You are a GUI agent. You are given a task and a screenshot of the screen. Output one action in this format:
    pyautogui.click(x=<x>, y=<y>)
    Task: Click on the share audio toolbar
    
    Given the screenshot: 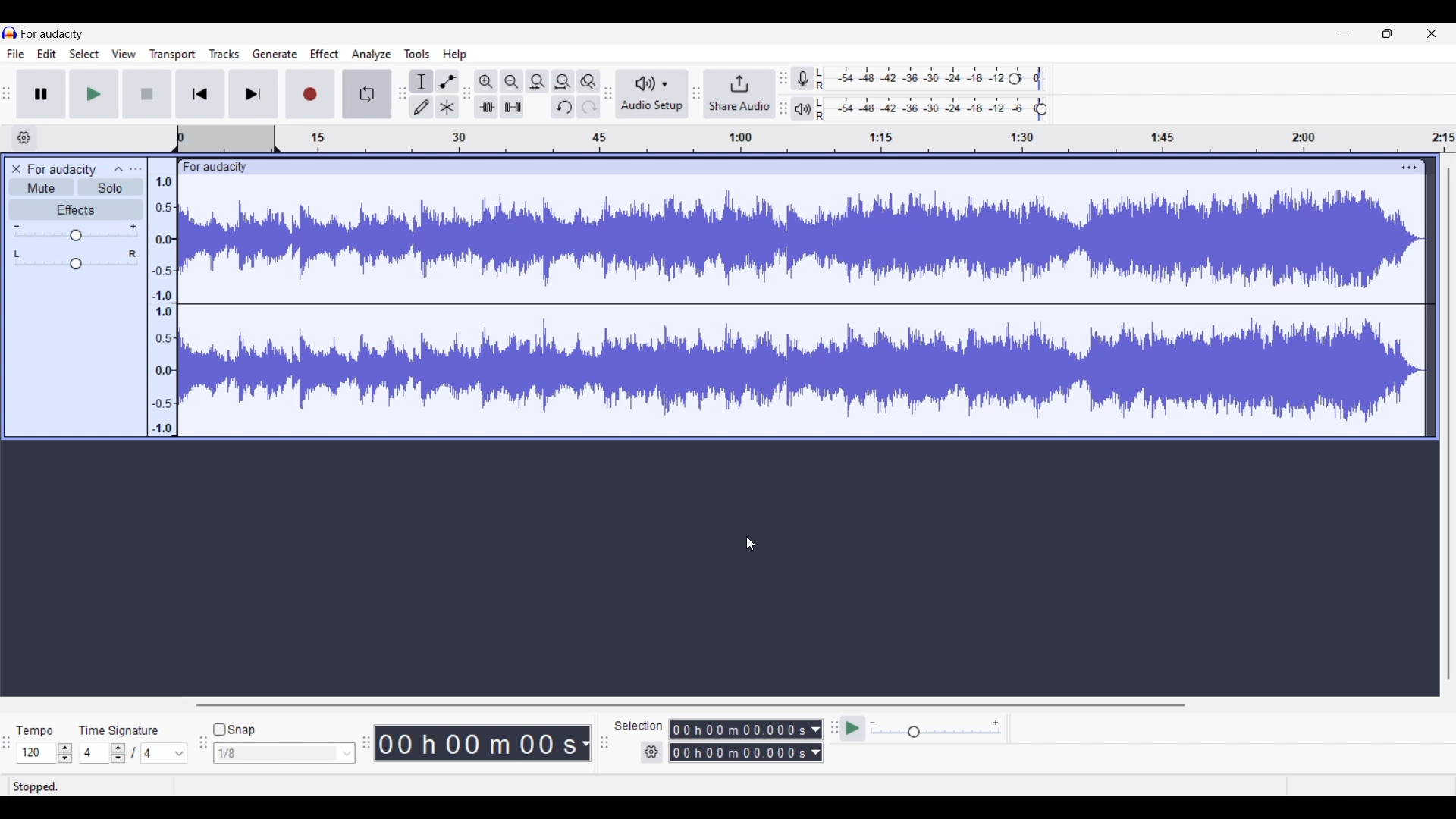 What is the action you would take?
    pyautogui.click(x=694, y=95)
    